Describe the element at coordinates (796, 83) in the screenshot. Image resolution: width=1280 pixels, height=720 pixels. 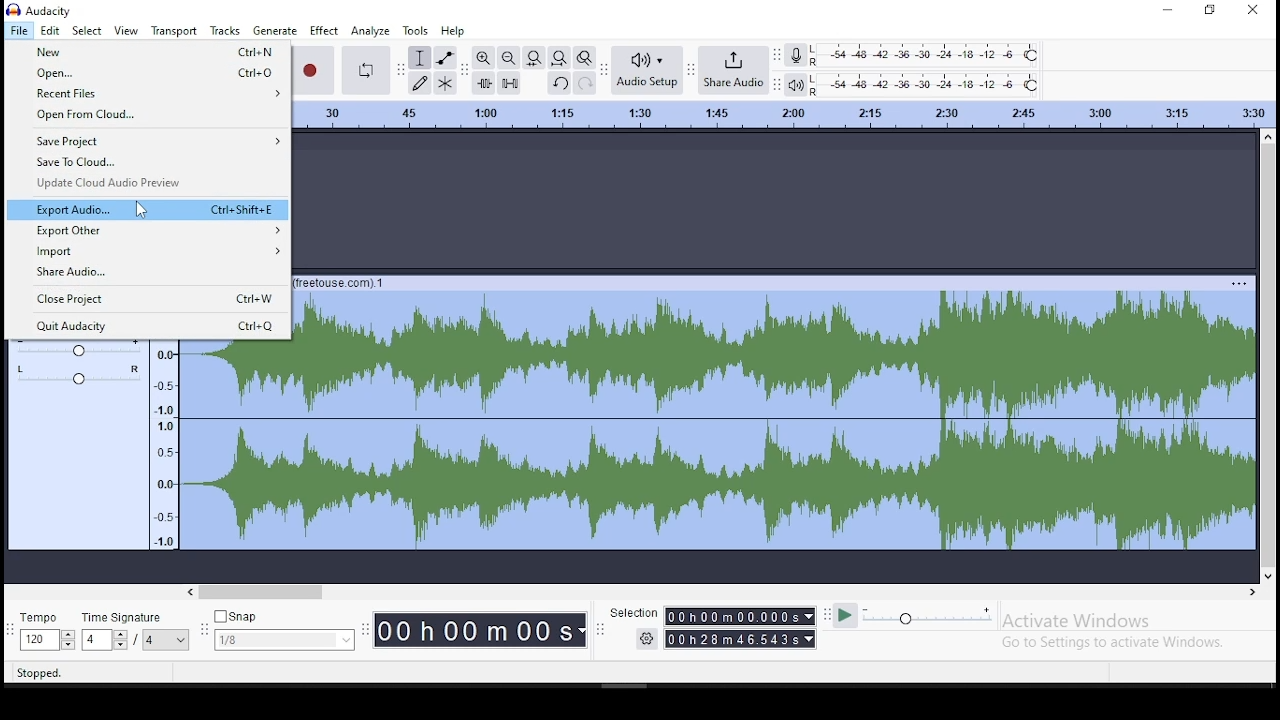
I see `playback meter` at that location.